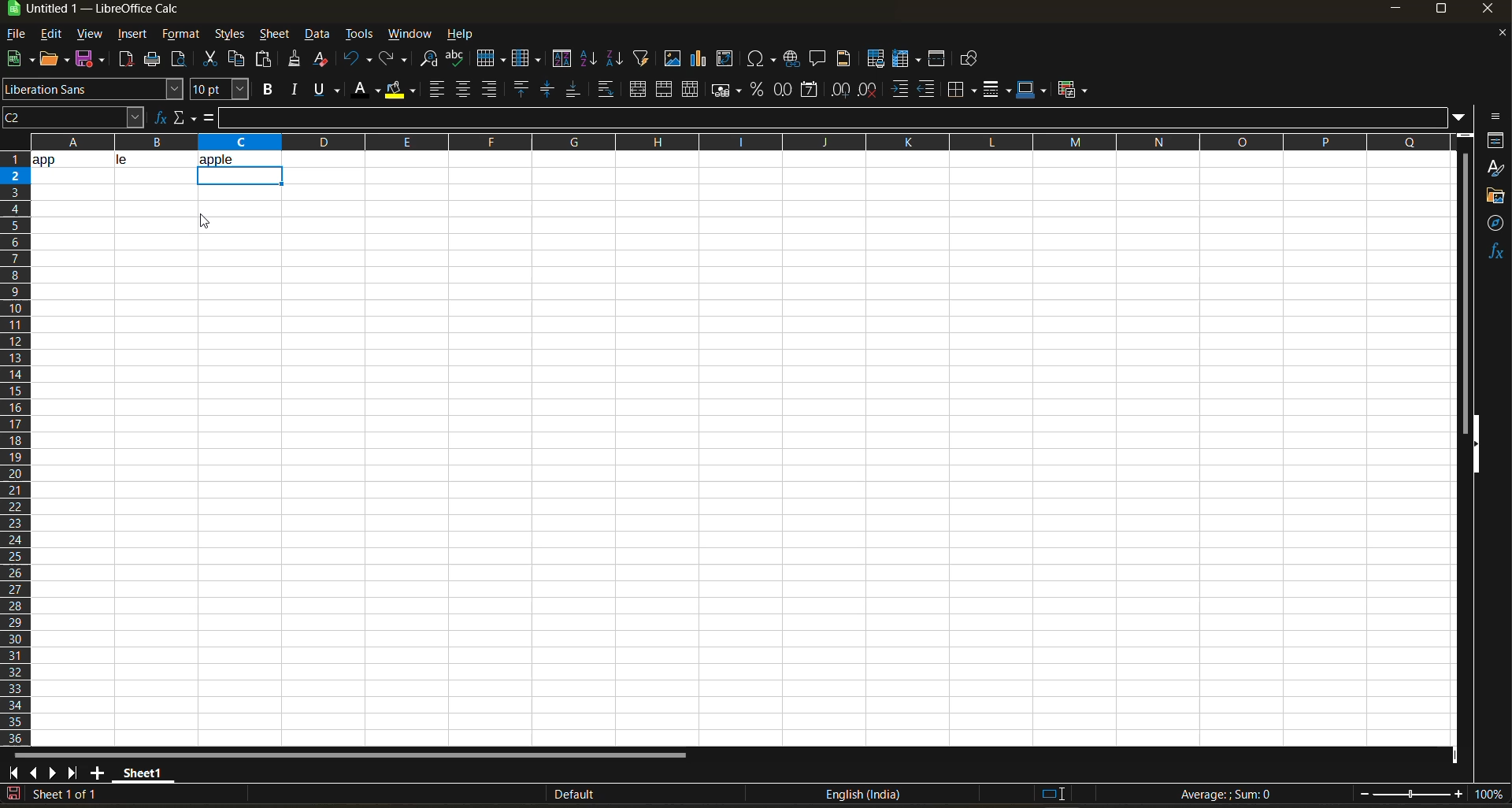 The image size is (1512, 808). Describe the element at coordinates (1231, 796) in the screenshot. I see `formula` at that location.